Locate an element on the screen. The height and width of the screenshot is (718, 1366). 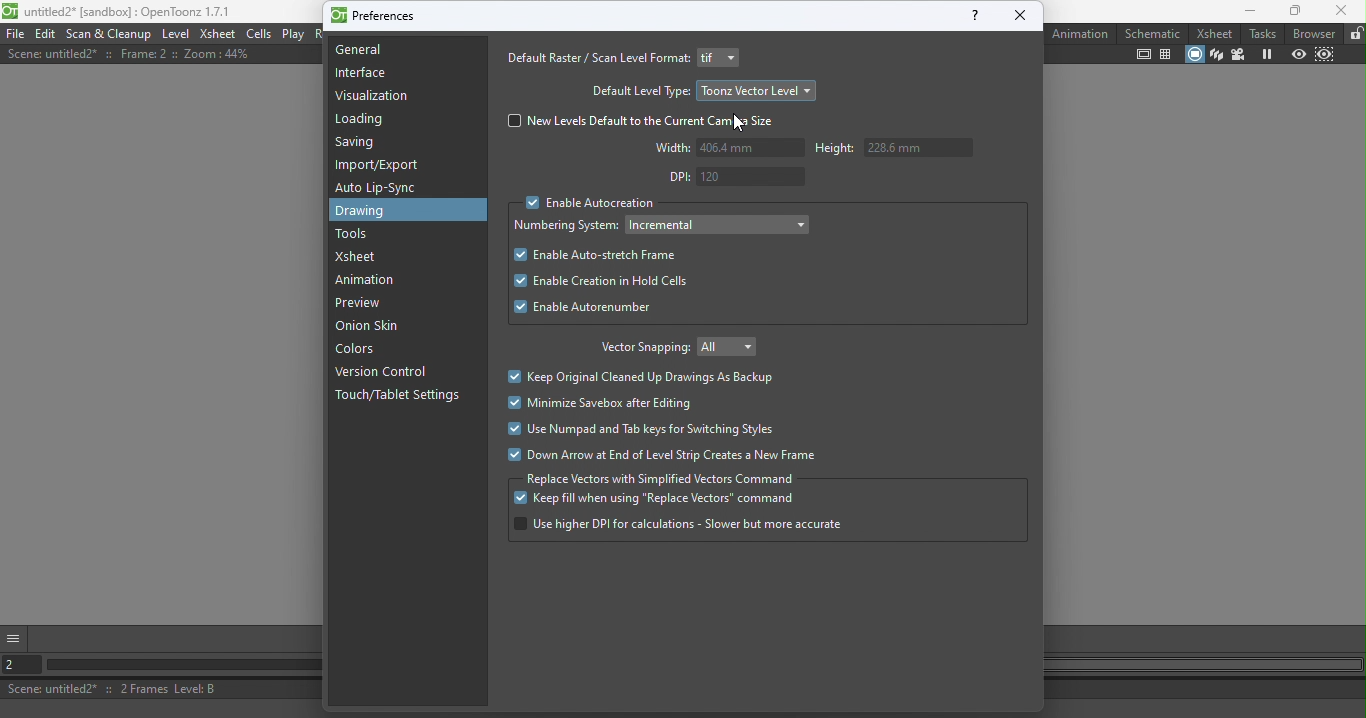
Schematic is located at coordinates (1153, 33).